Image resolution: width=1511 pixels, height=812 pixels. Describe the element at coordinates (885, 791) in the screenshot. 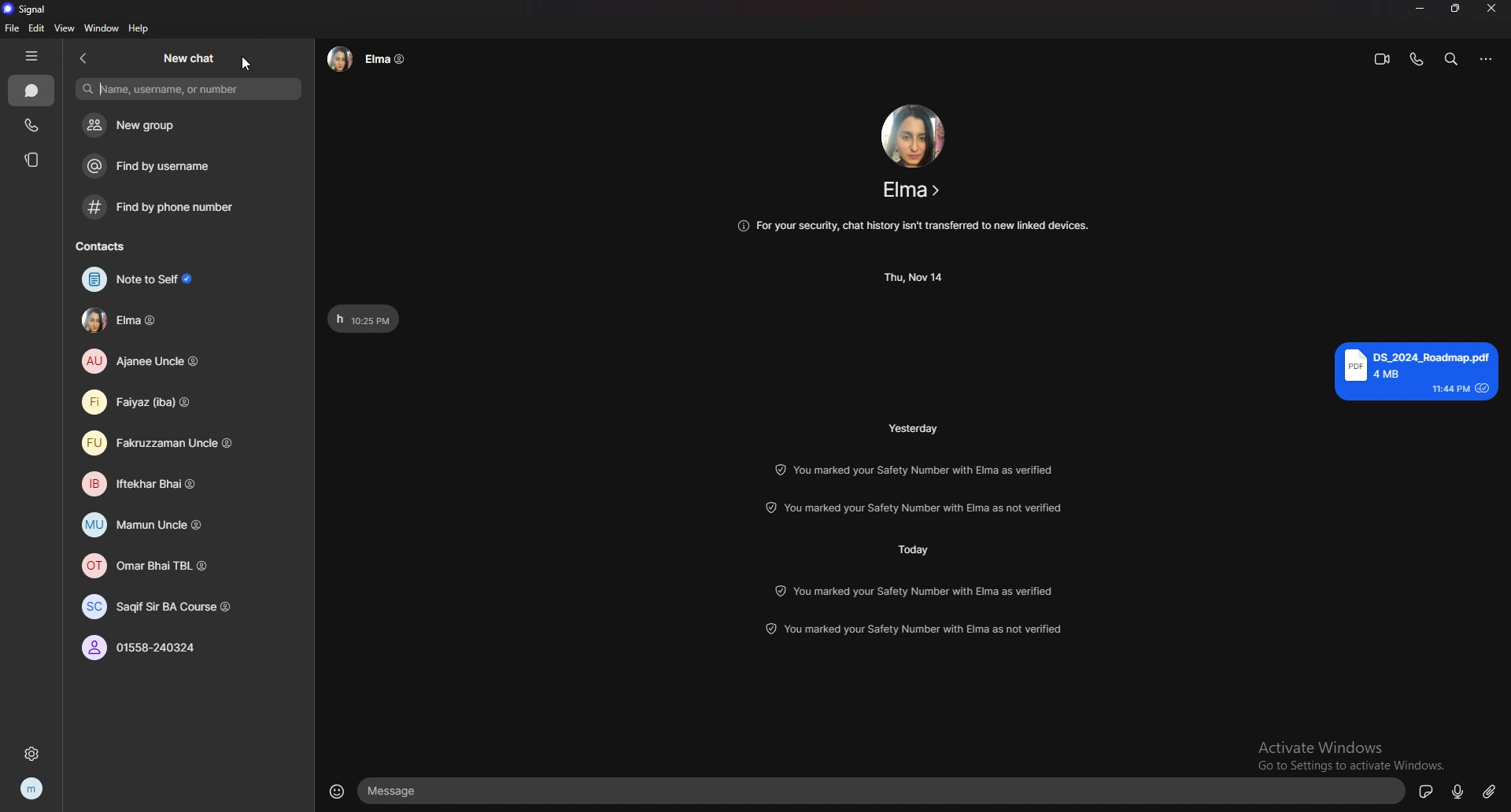

I see `text box` at that location.